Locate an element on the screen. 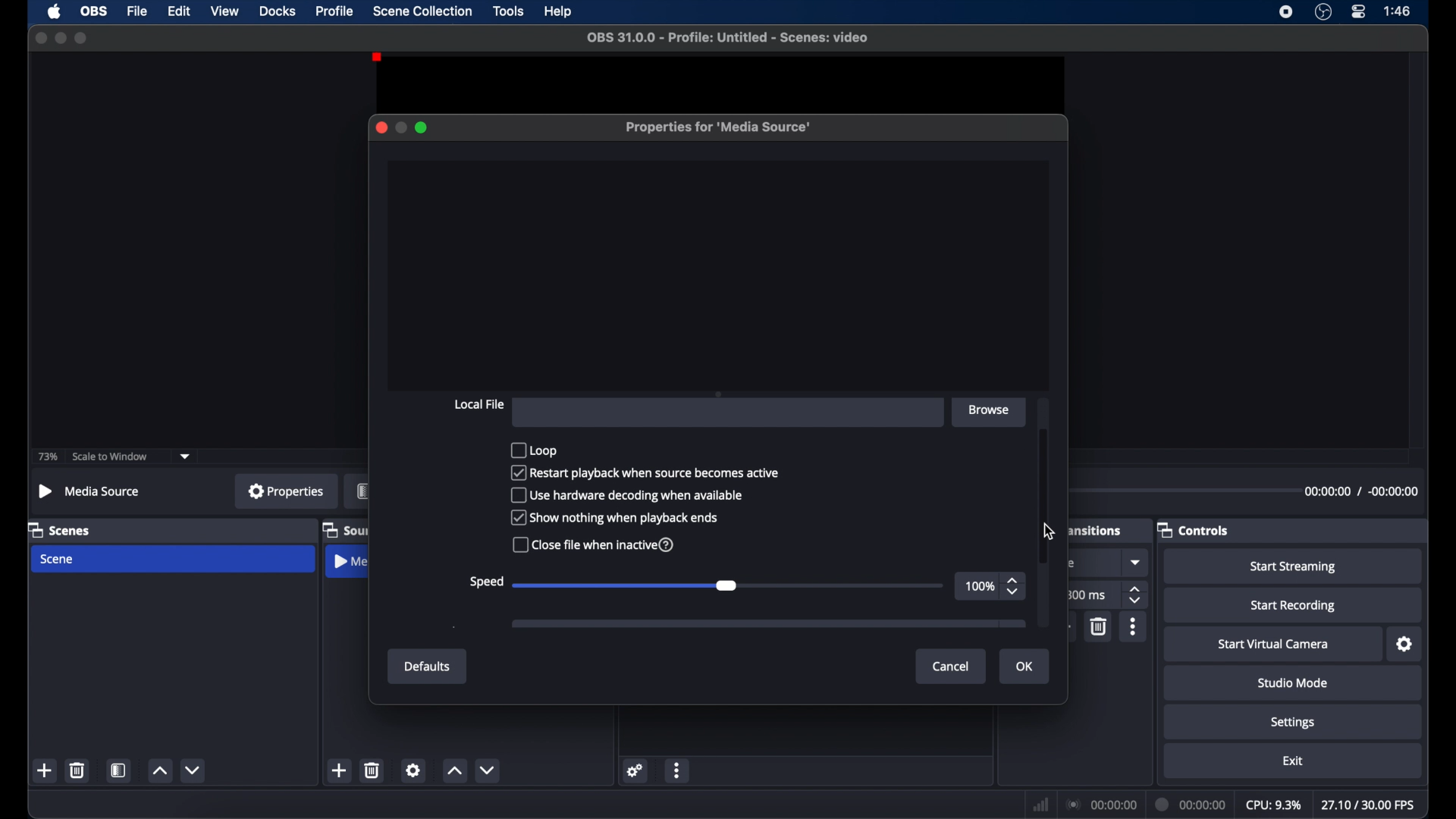  dropdown is located at coordinates (185, 457).